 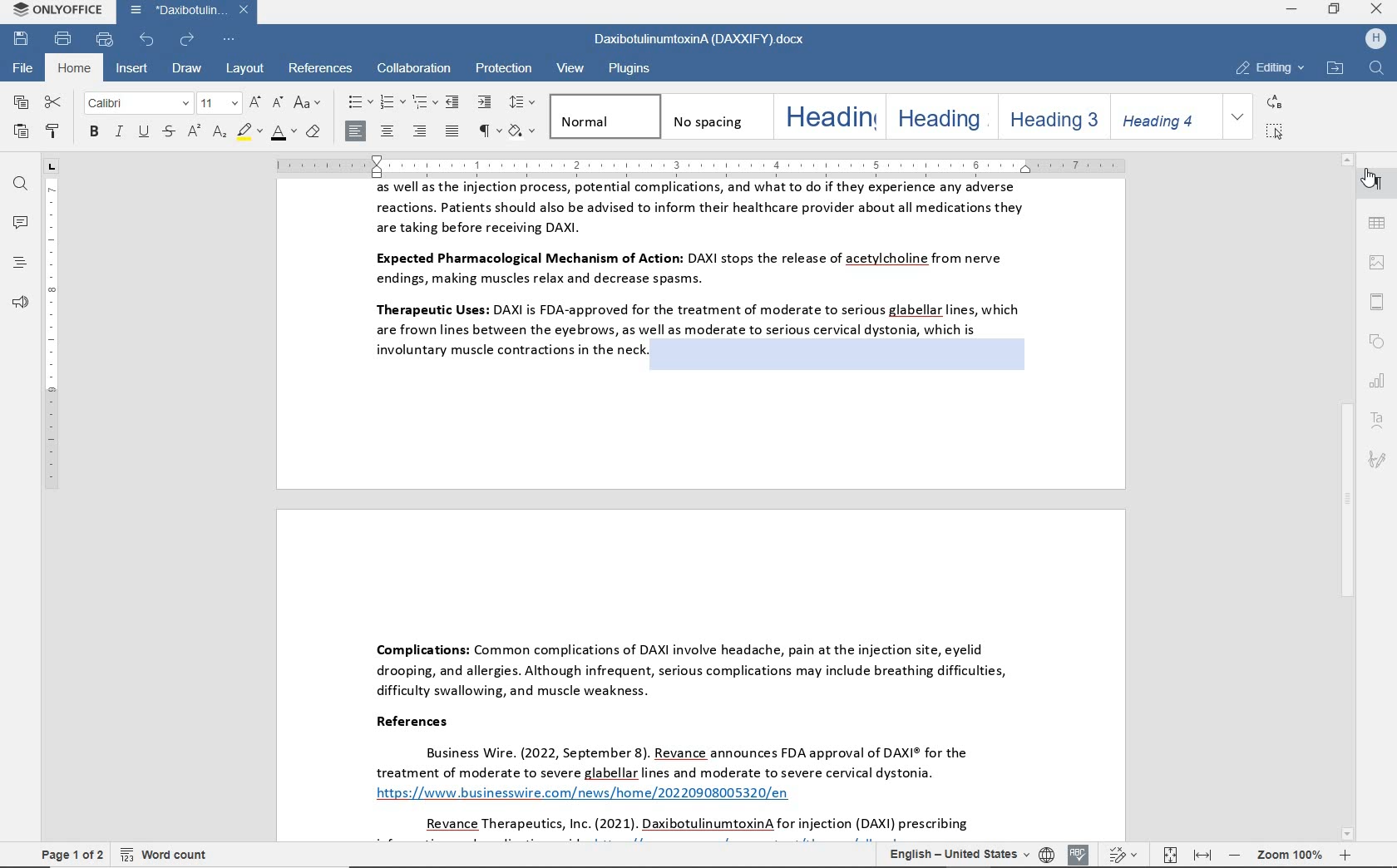 What do you see at coordinates (1378, 9) in the screenshot?
I see `close` at bounding box center [1378, 9].